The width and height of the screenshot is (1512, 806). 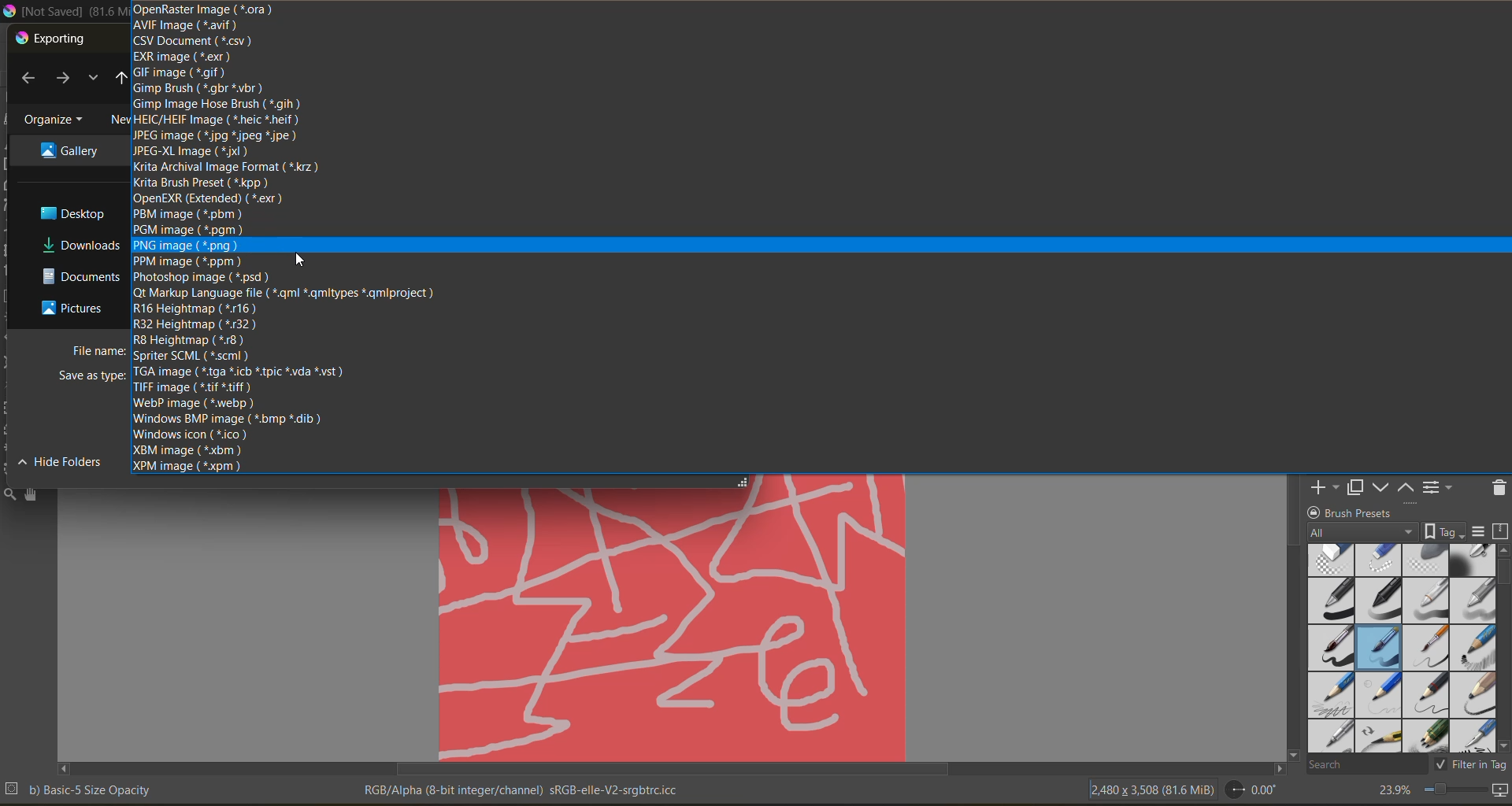 What do you see at coordinates (1363, 533) in the screenshot?
I see `tag` at bounding box center [1363, 533].